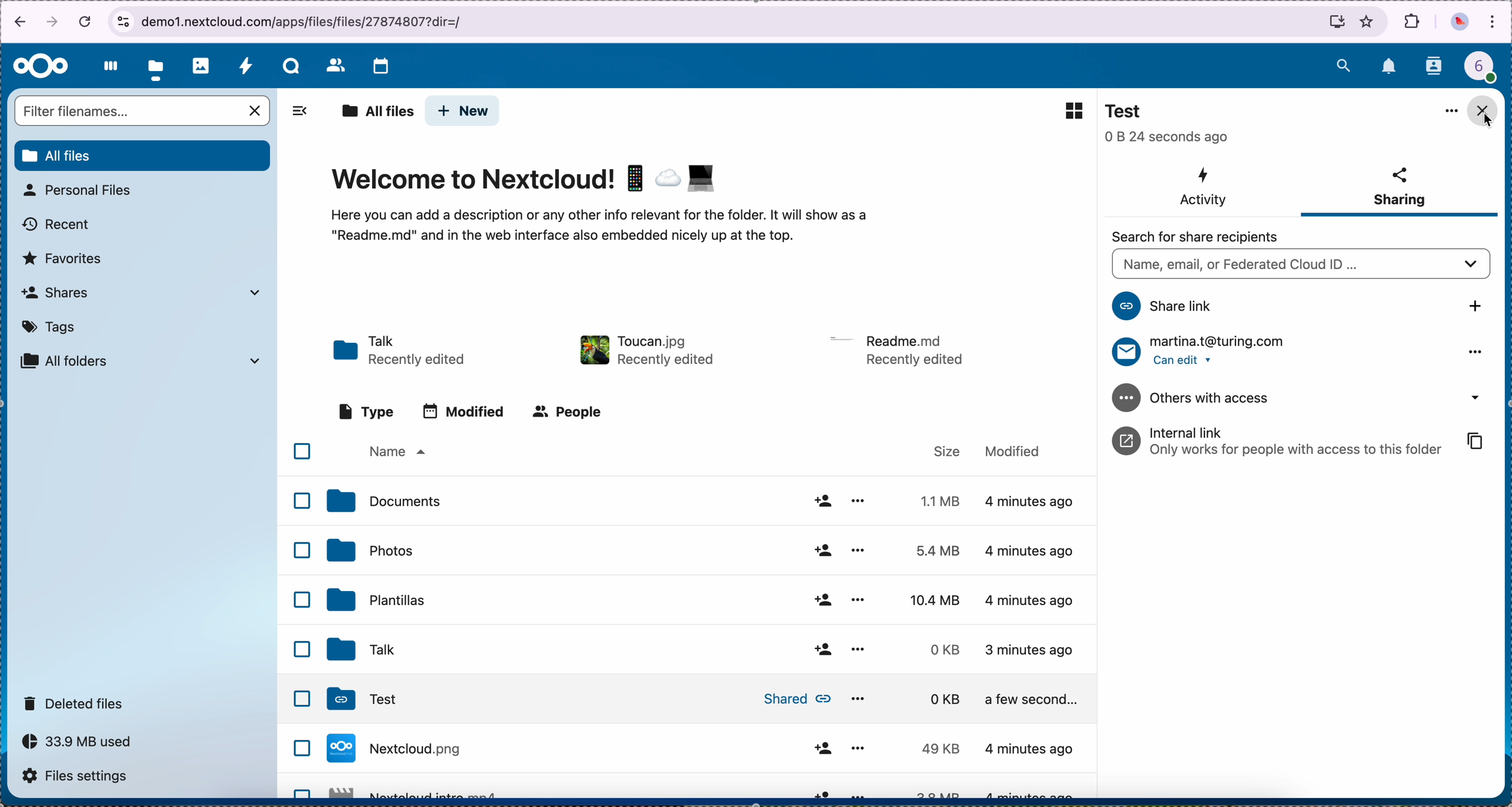 The image size is (1512, 807). I want to click on contacts, so click(1435, 67).